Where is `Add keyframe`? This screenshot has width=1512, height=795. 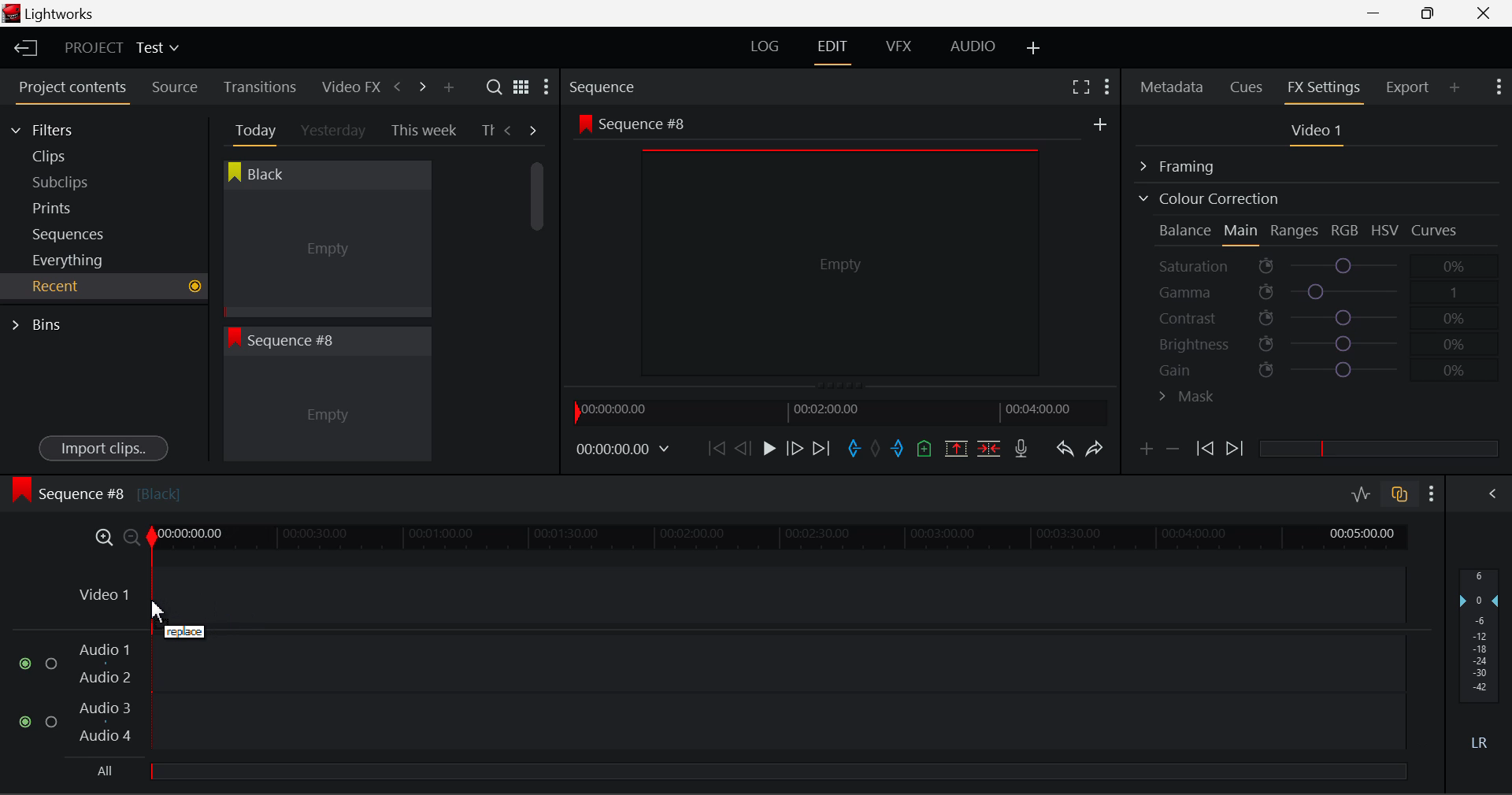
Add keyframe is located at coordinates (1143, 452).